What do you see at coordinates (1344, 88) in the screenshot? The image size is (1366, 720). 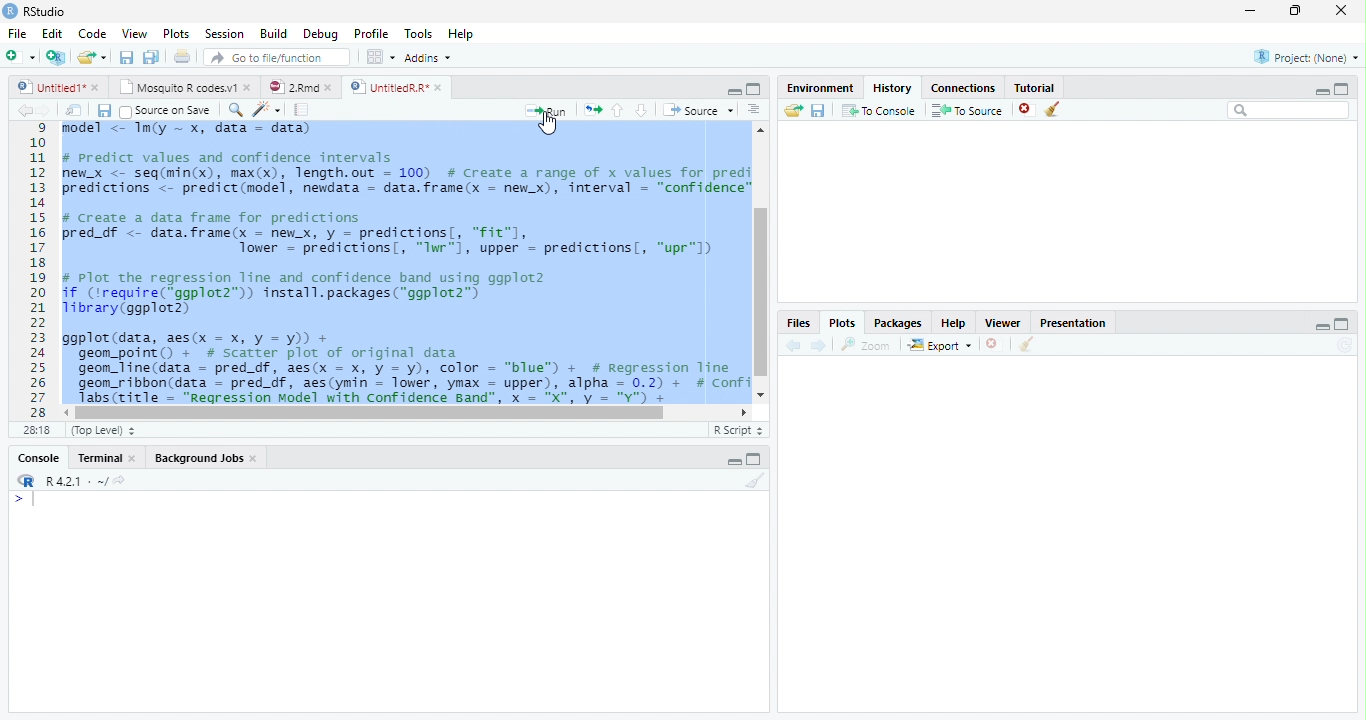 I see `Maximize` at bounding box center [1344, 88].